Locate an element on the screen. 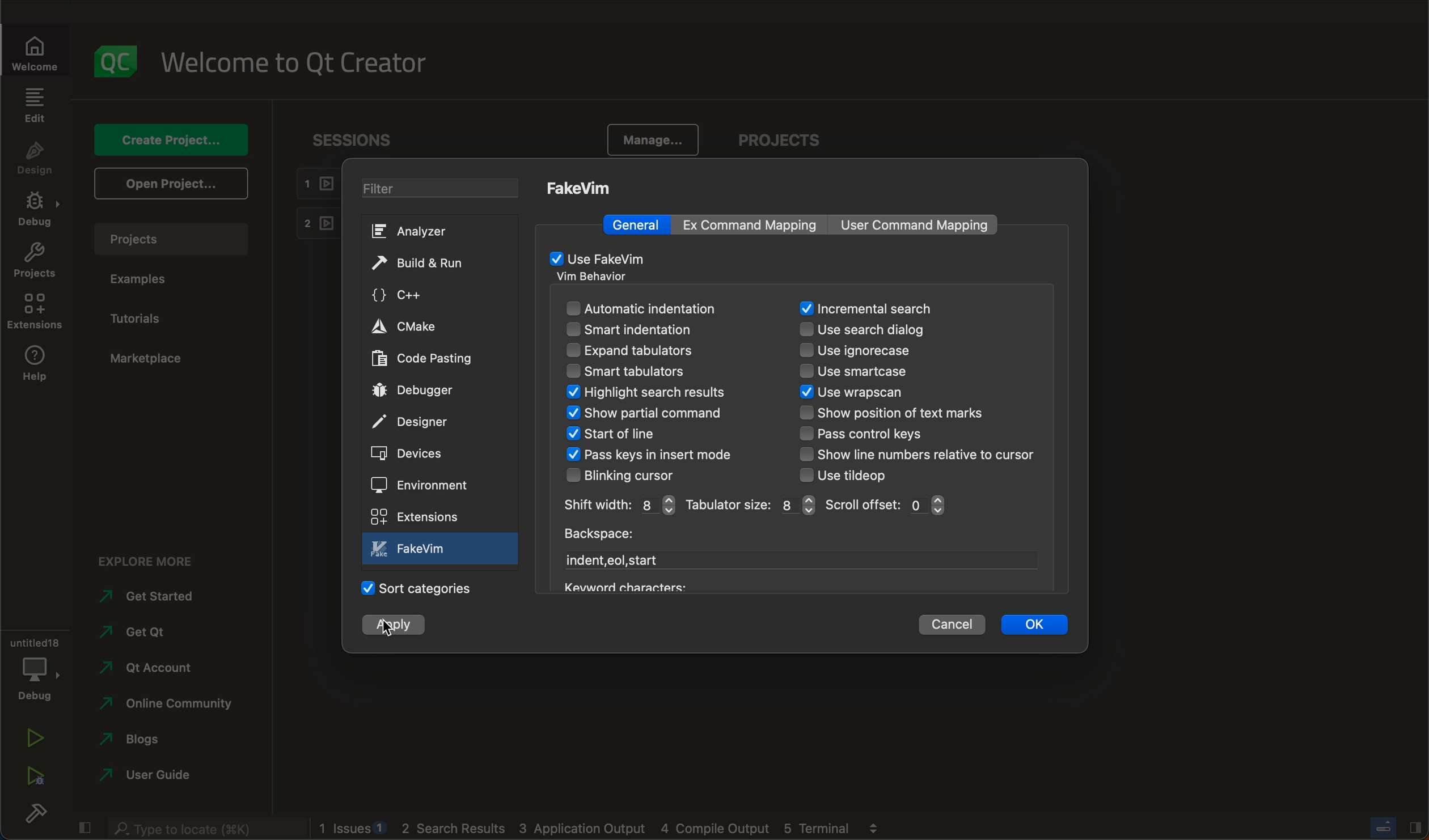 The width and height of the screenshot is (1429, 840). create is located at coordinates (171, 137).